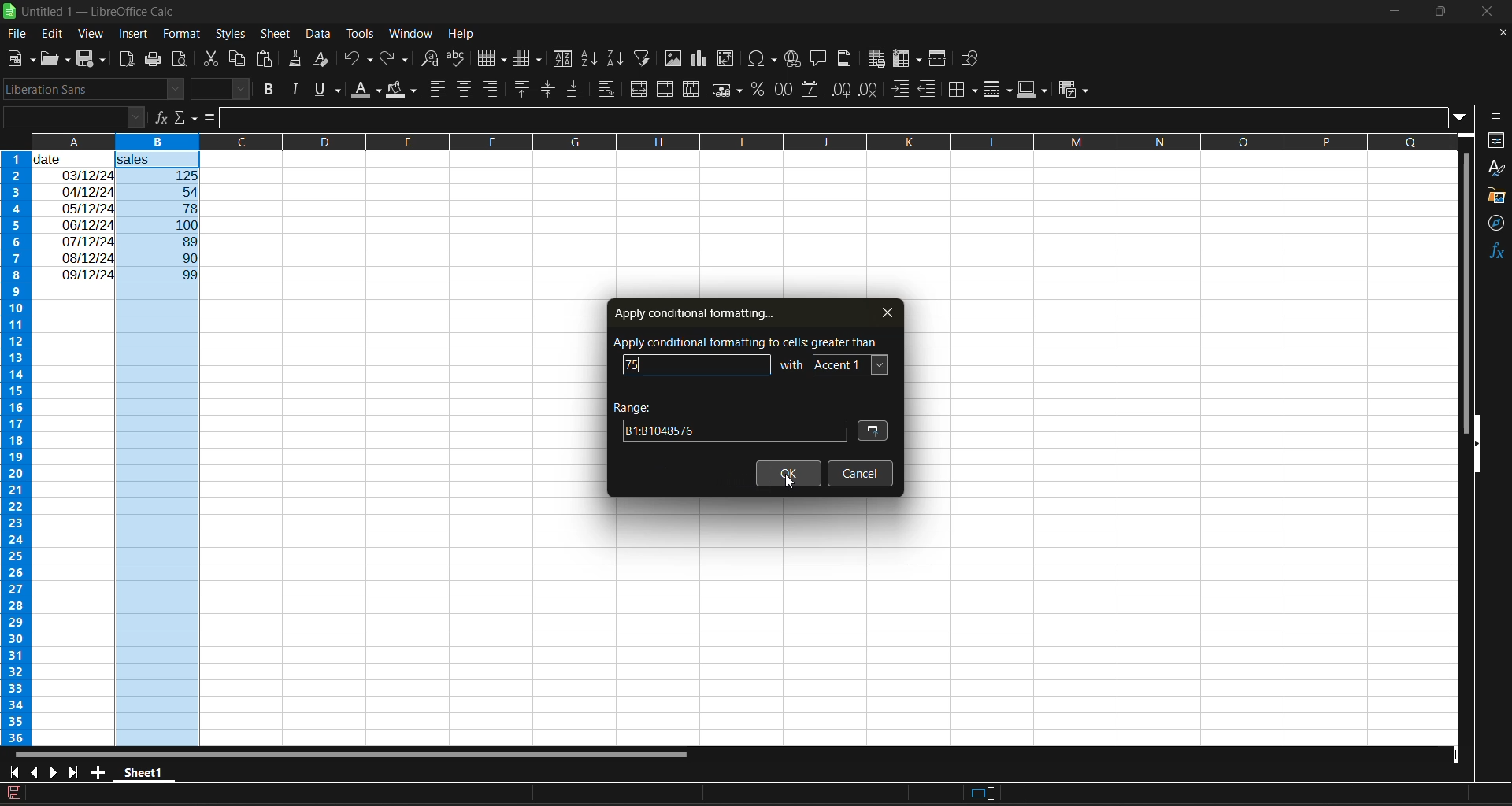 Image resolution: width=1512 pixels, height=806 pixels. What do you see at coordinates (784, 91) in the screenshot?
I see `format as number` at bounding box center [784, 91].